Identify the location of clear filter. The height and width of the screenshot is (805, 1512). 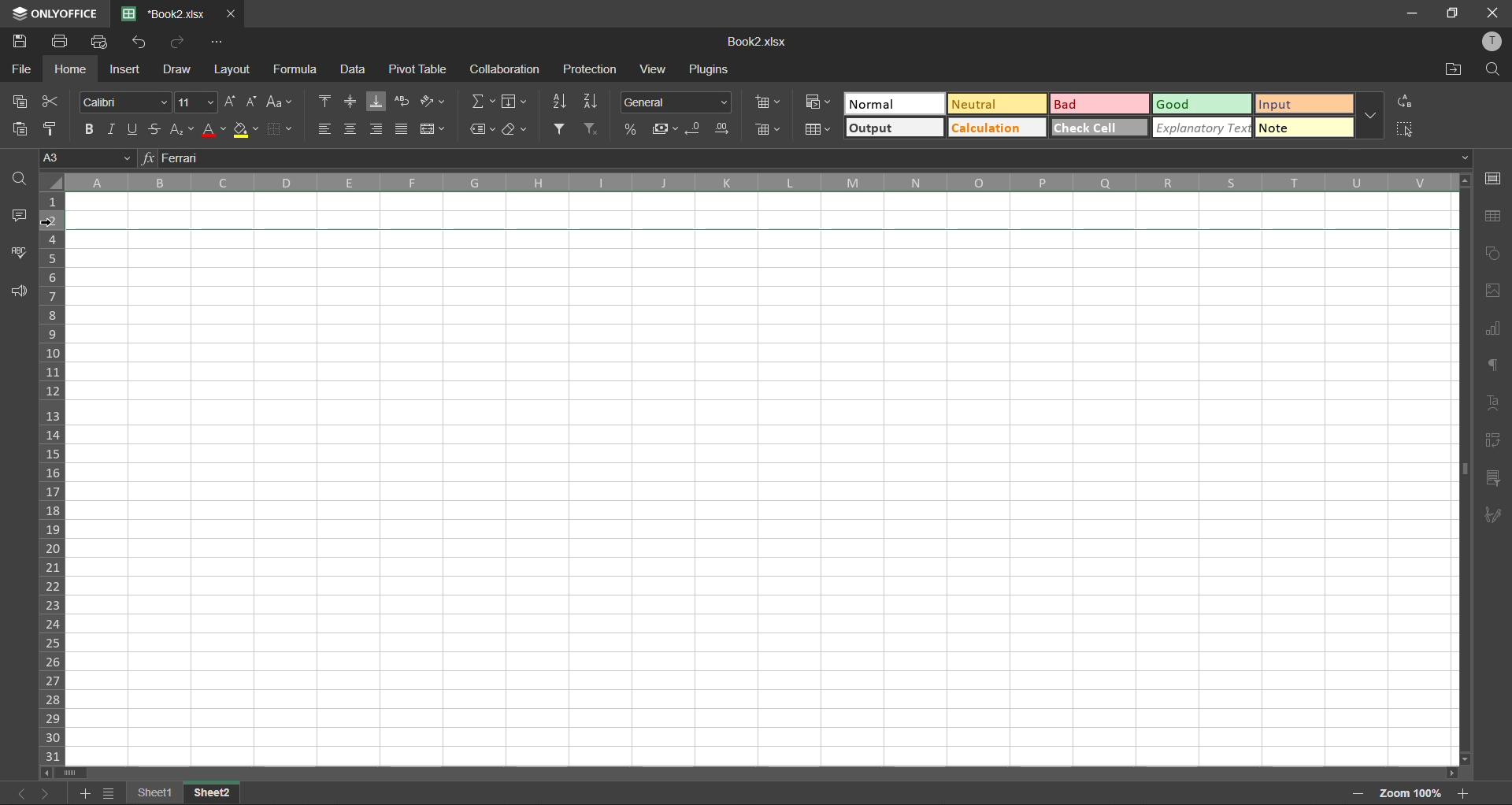
(591, 130).